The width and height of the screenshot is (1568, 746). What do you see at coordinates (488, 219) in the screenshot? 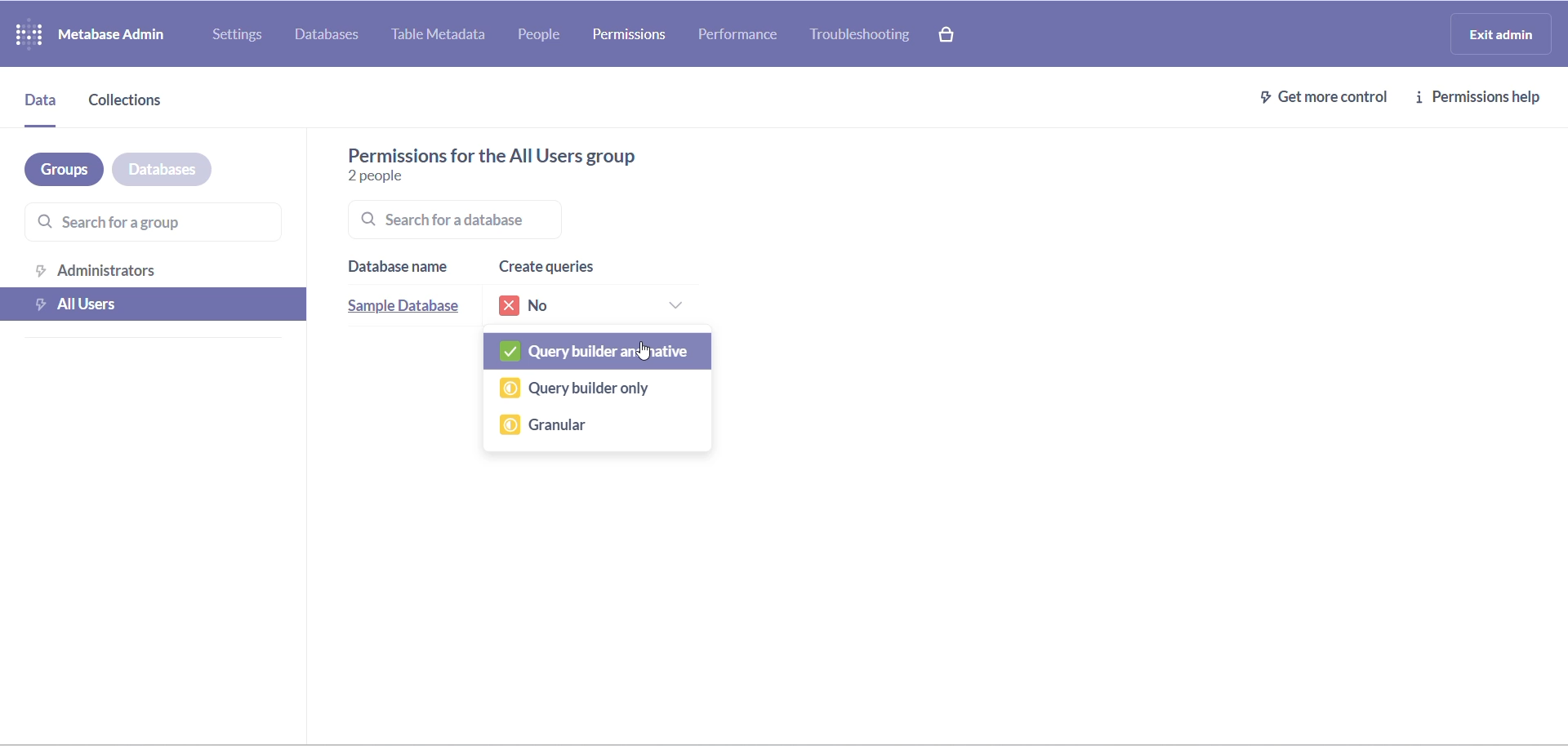
I see `searchbar` at bounding box center [488, 219].